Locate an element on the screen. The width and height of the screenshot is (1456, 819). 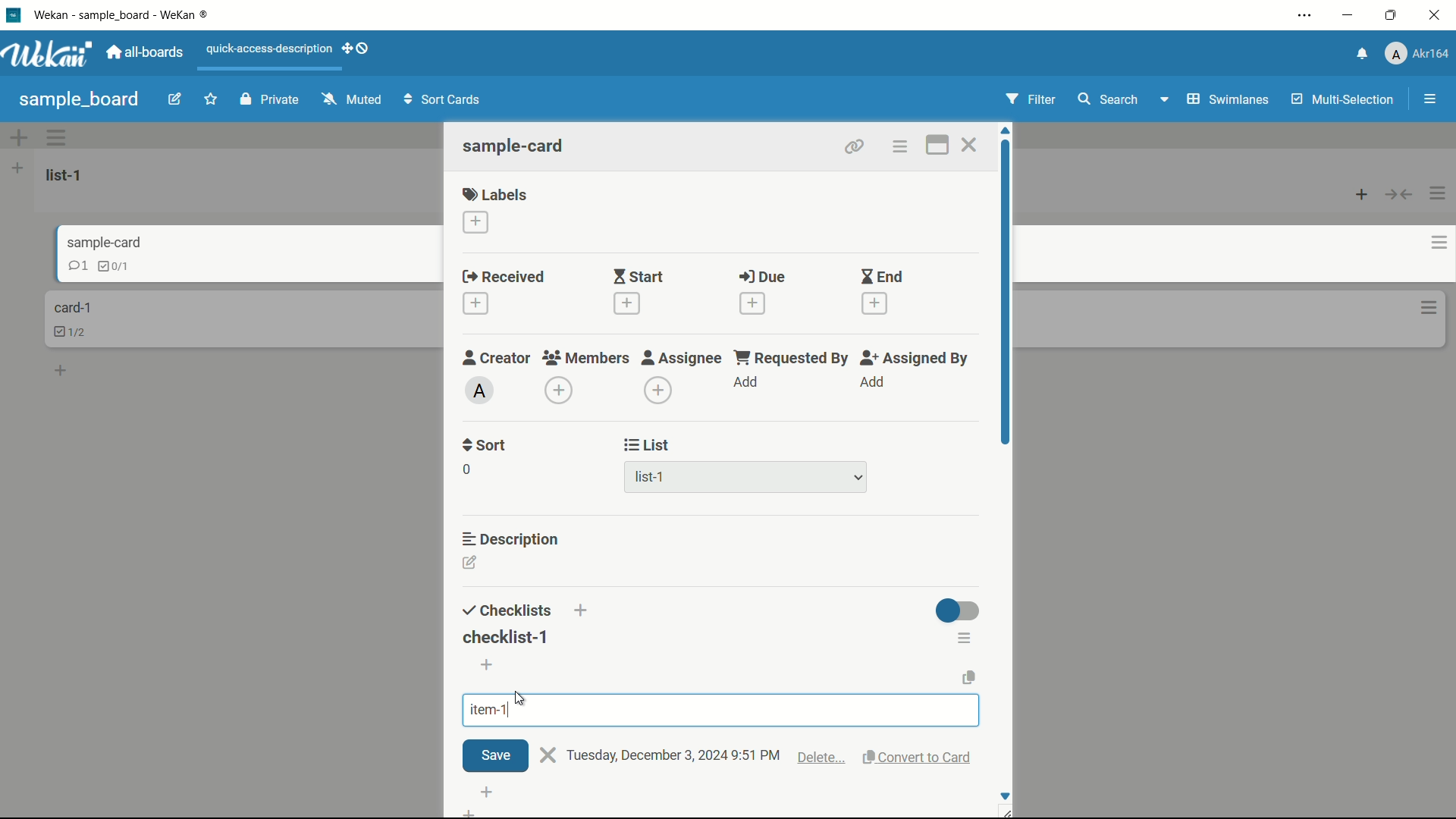
app logo is located at coordinates (49, 53).